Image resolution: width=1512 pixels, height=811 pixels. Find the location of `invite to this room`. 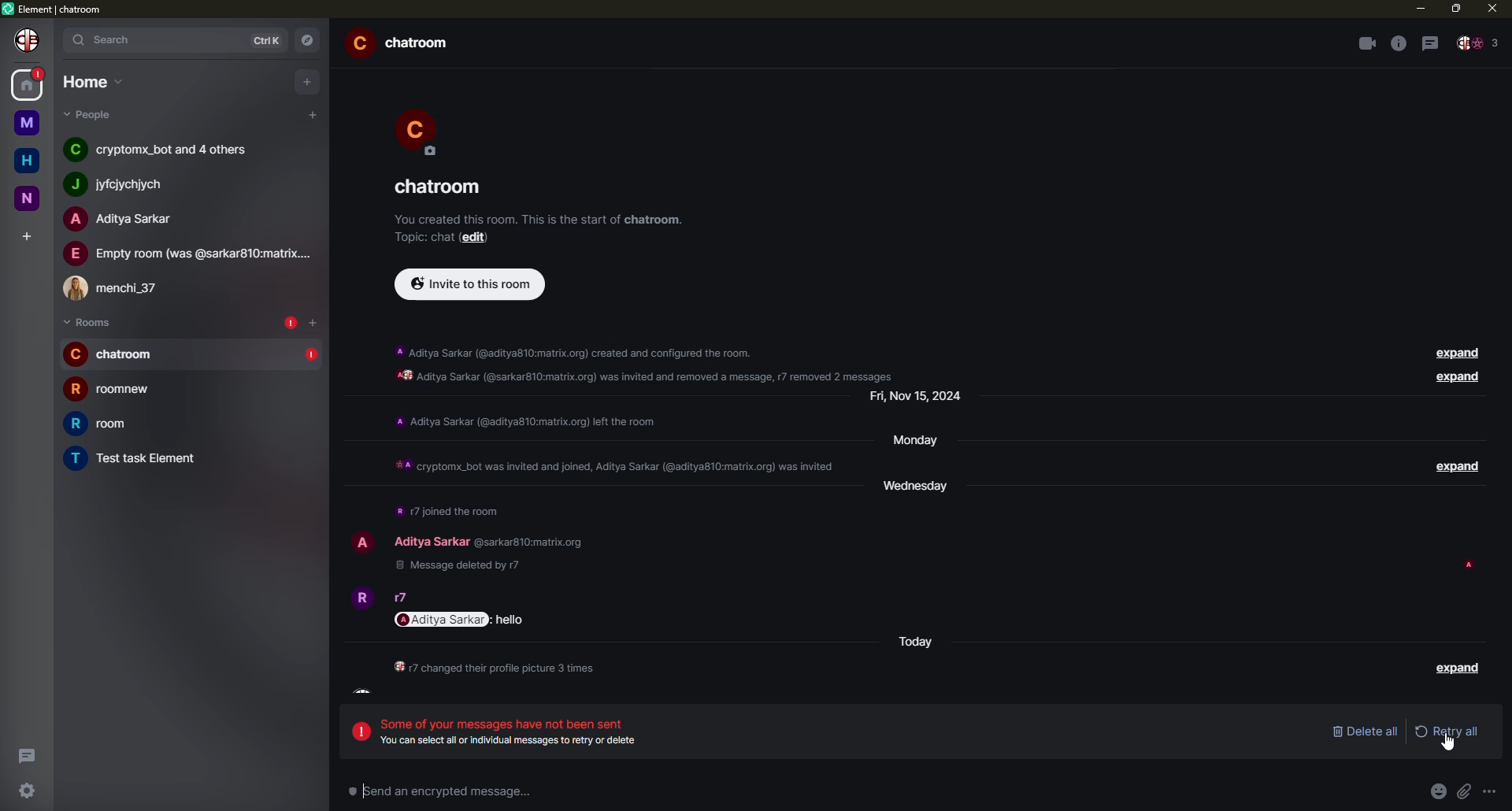

invite to this room is located at coordinates (469, 284).